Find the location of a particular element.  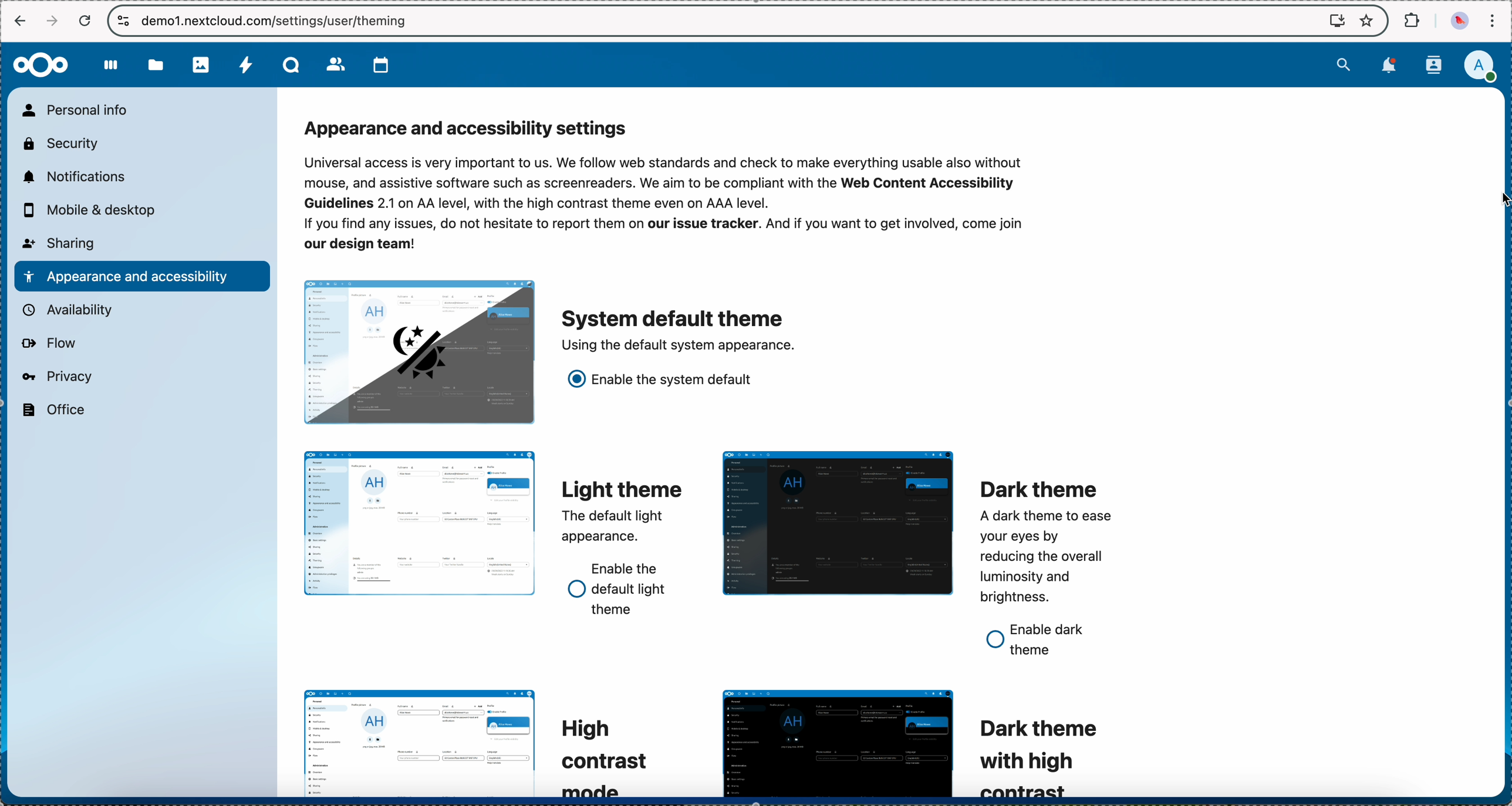

contacts is located at coordinates (1433, 65).